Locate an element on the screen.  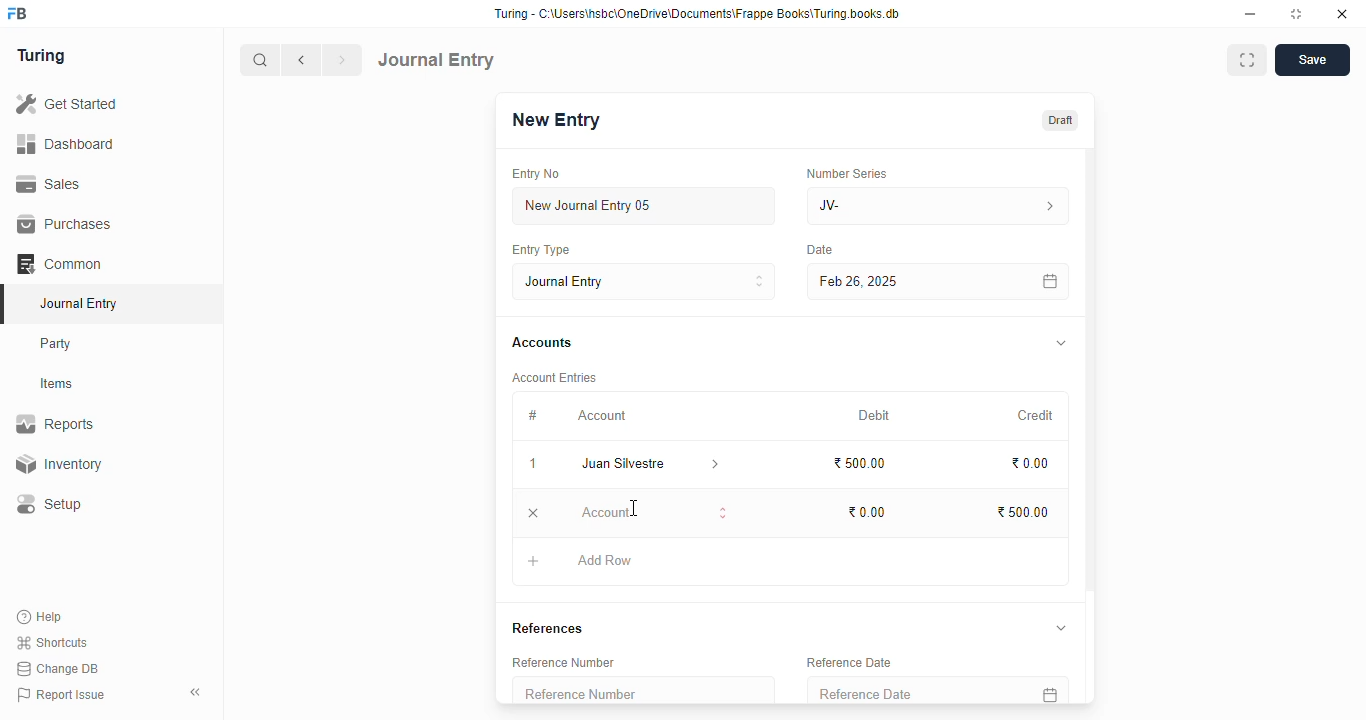
purchases is located at coordinates (64, 224).